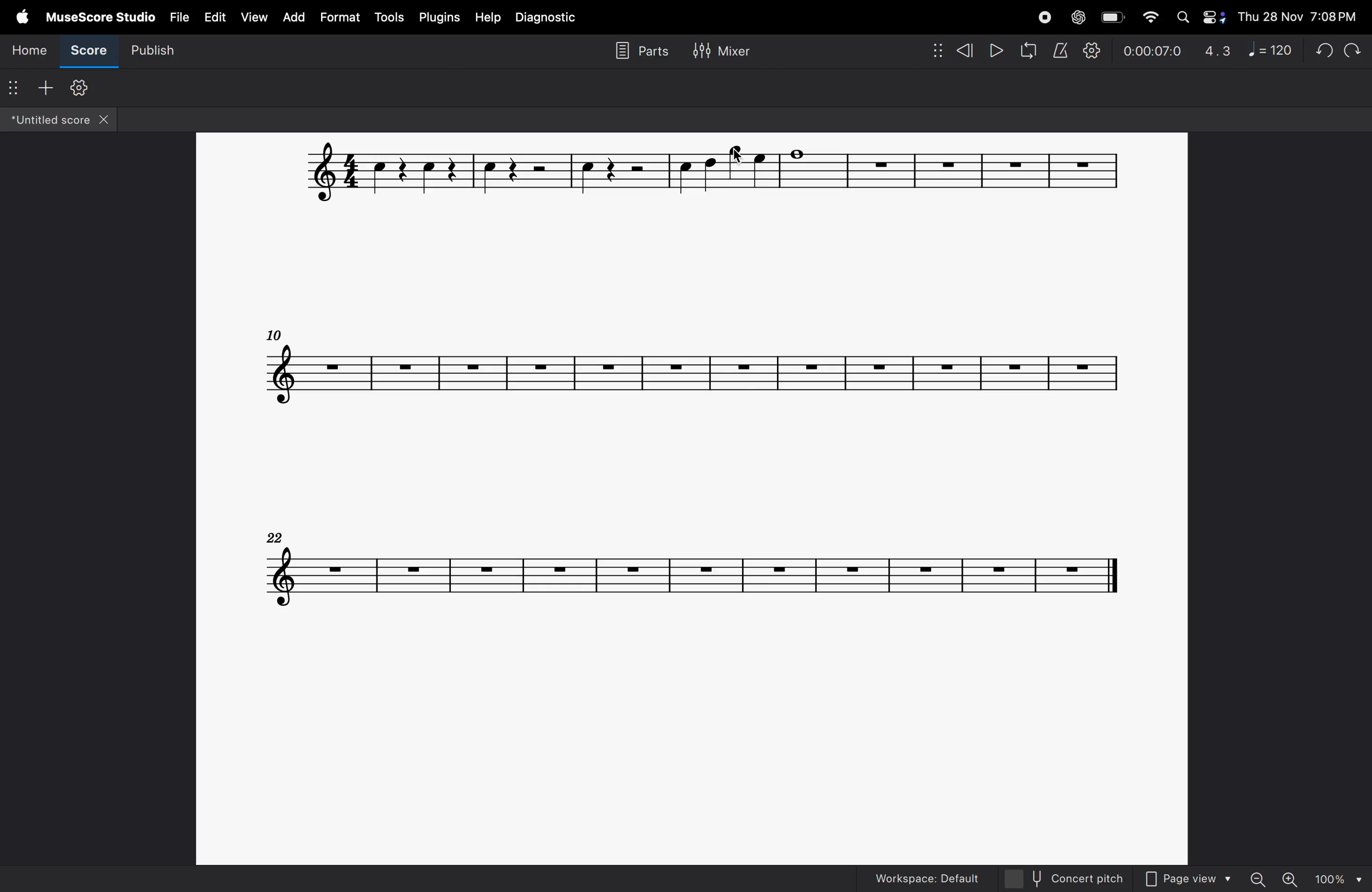 The image size is (1372, 892). What do you see at coordinates (293, 16) in the screenshot?
I see `ad` at bounding box center [293, 16].